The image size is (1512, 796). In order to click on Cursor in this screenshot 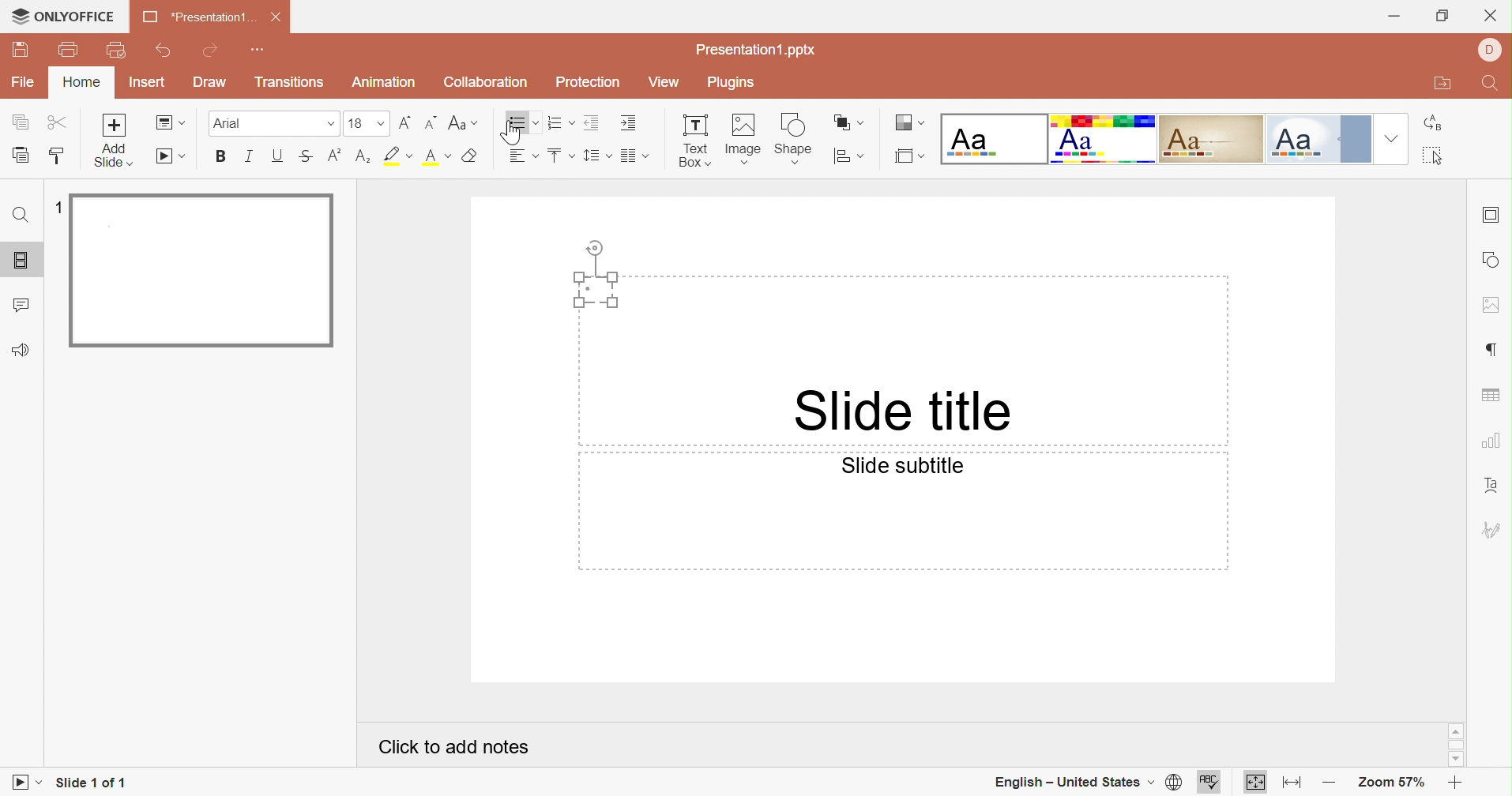, I will do `click(513, 135)`.